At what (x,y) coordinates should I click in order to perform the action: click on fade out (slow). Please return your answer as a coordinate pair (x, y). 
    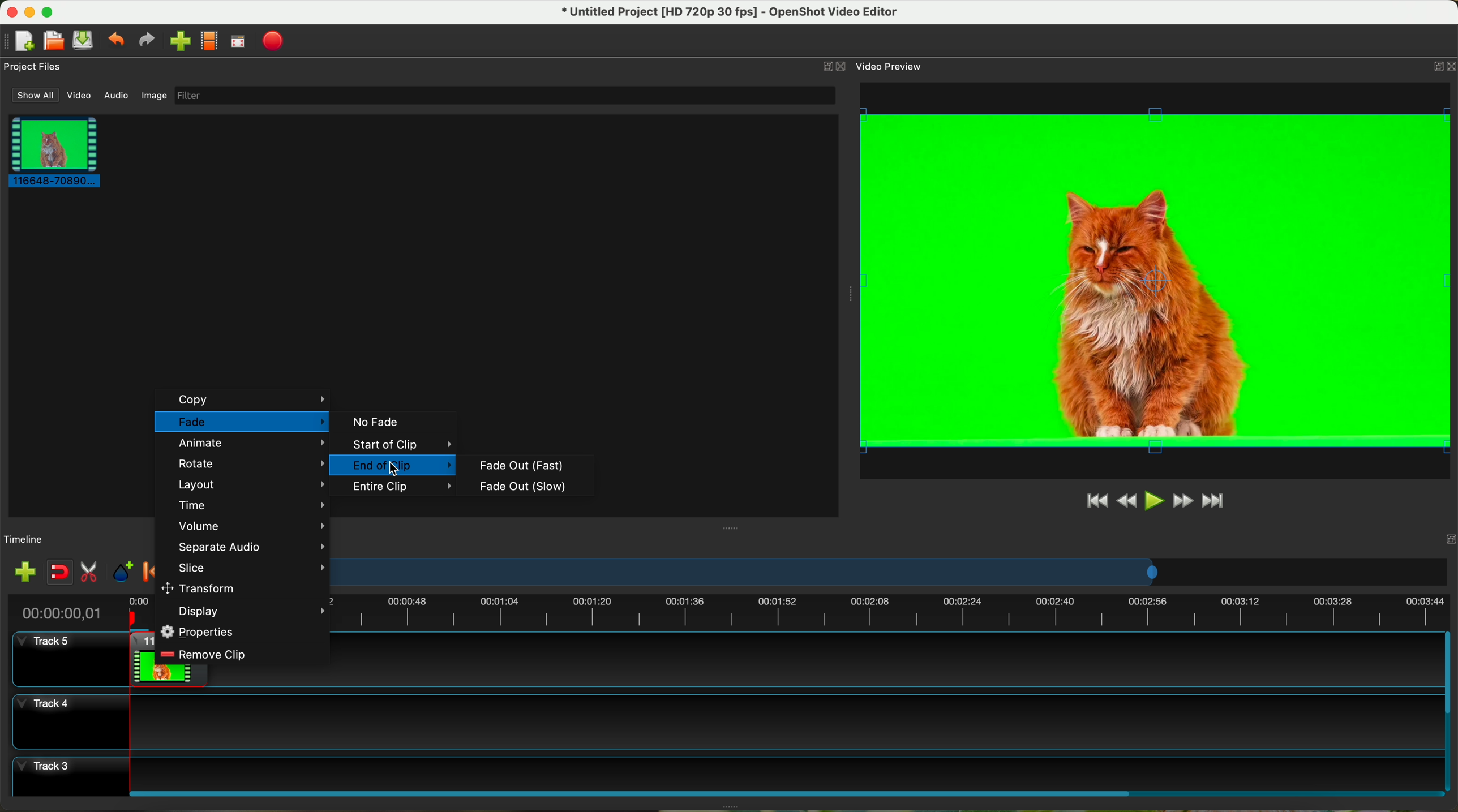
    Looking at the image, I should click on (525, 486).